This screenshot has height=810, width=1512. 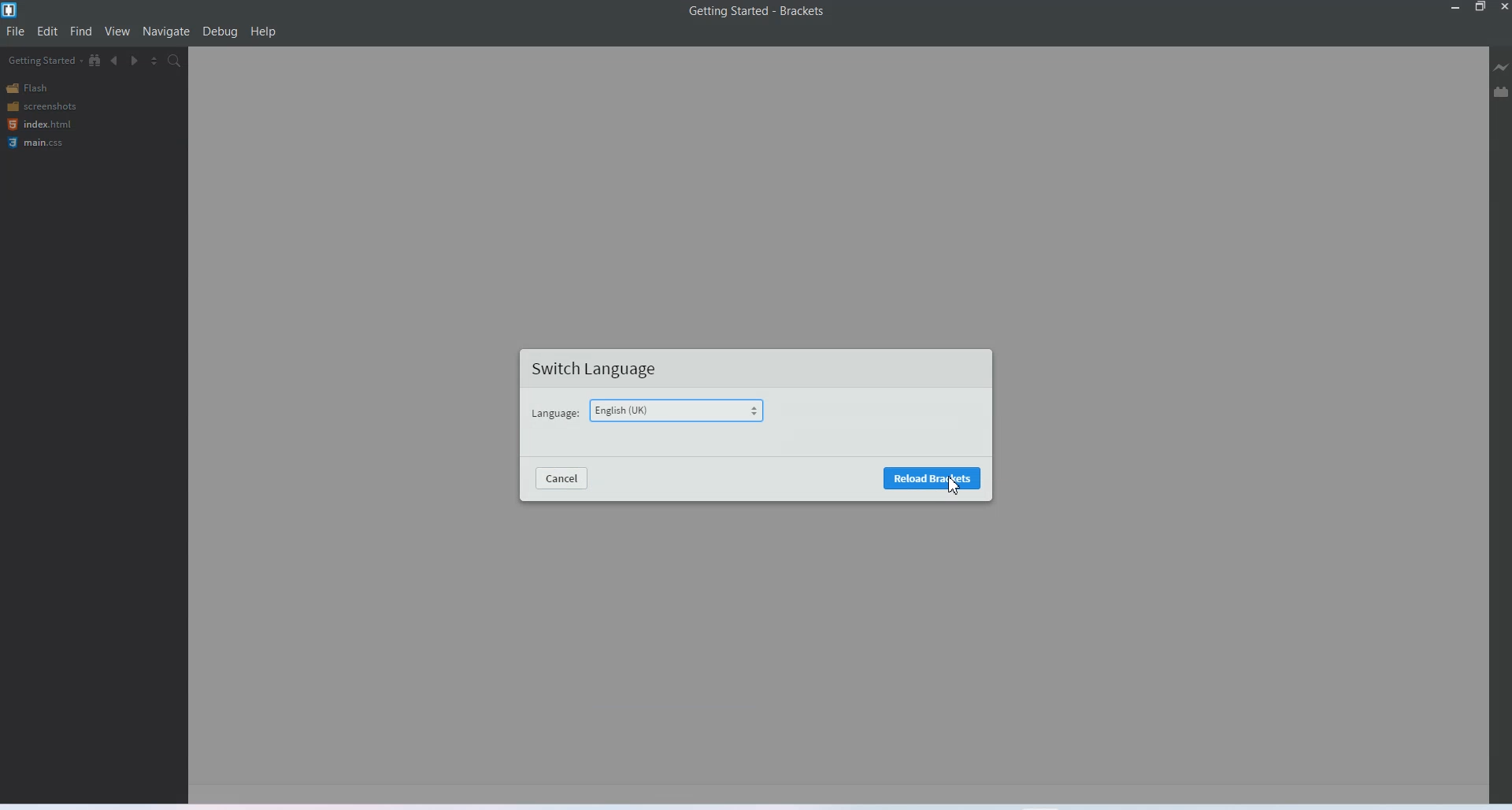 I want to click on Close, so click(x=1503, y=8).